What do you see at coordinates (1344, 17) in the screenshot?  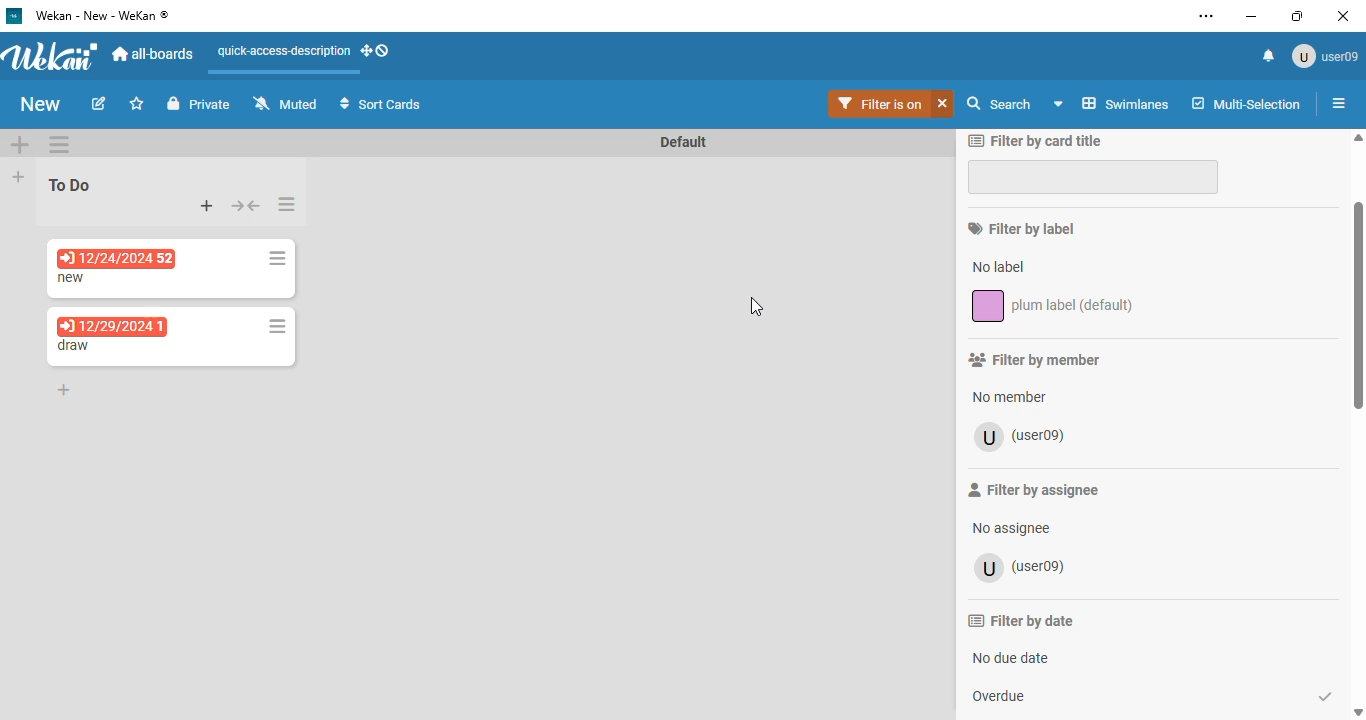 I see `close` at bounding box center [1344, 17].